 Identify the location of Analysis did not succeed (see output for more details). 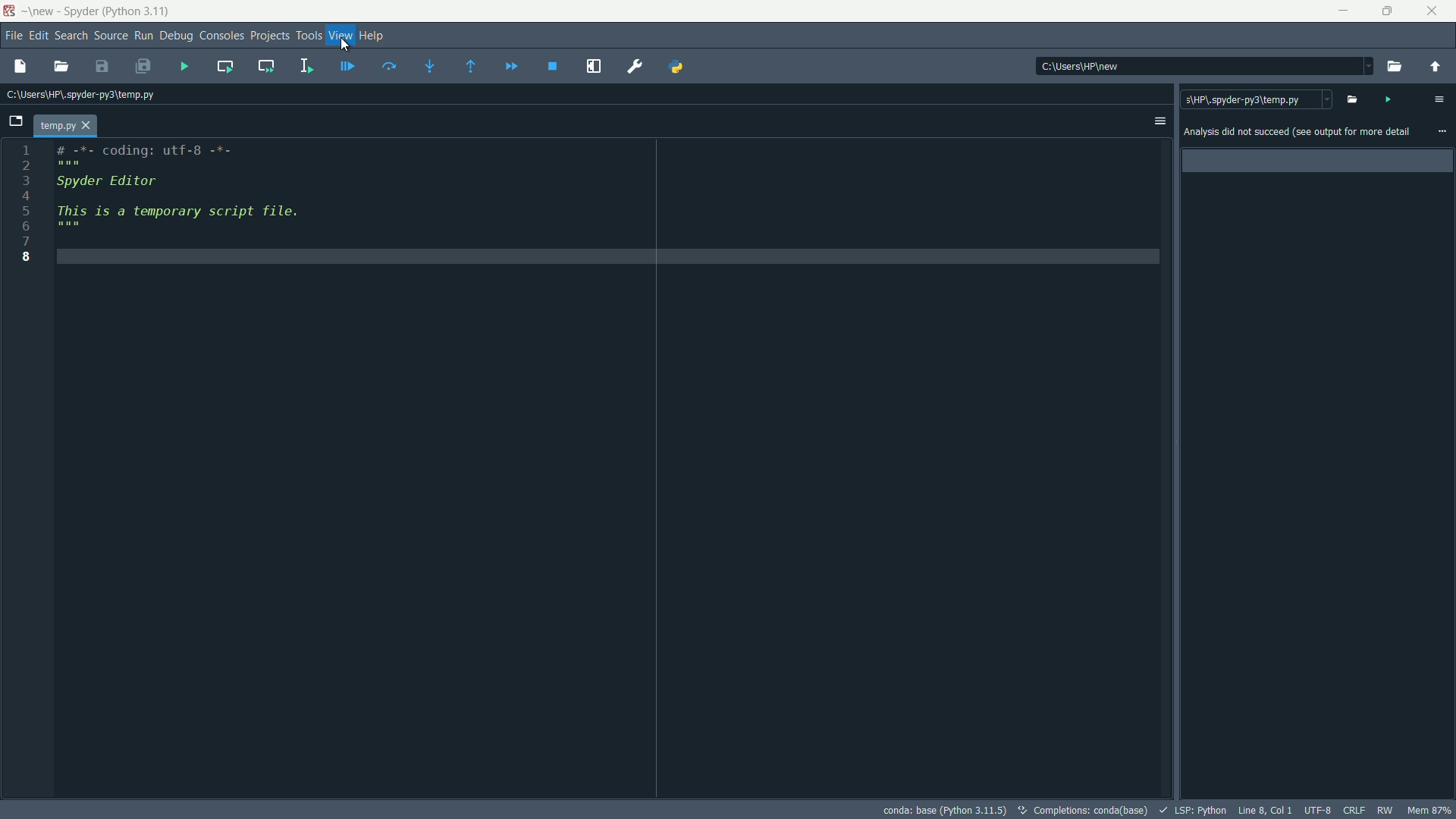
(1296, 133).